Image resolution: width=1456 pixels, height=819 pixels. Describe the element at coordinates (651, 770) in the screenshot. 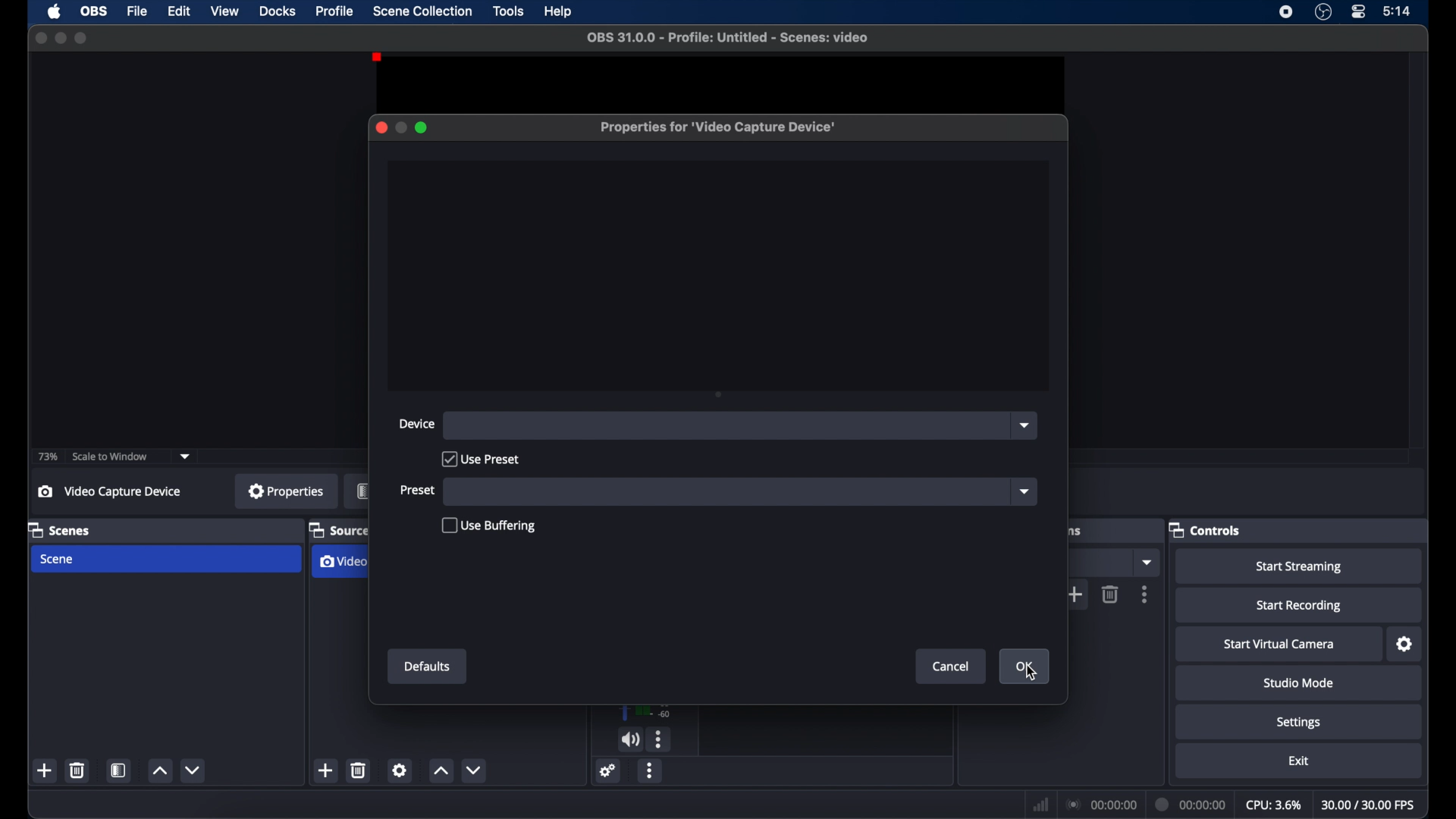

I see `more options` at that location.